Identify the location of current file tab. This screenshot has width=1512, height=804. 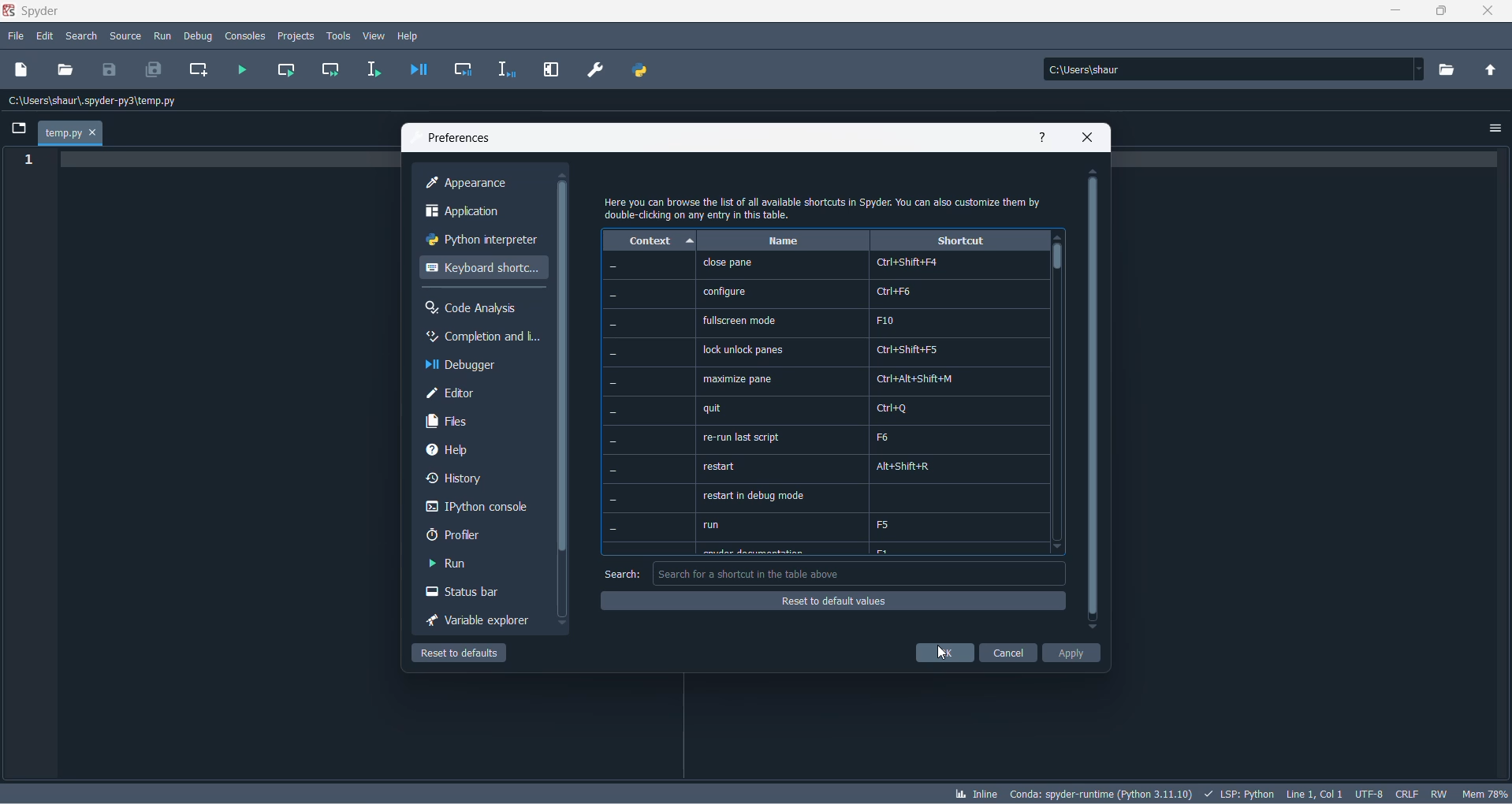
(70, 134).